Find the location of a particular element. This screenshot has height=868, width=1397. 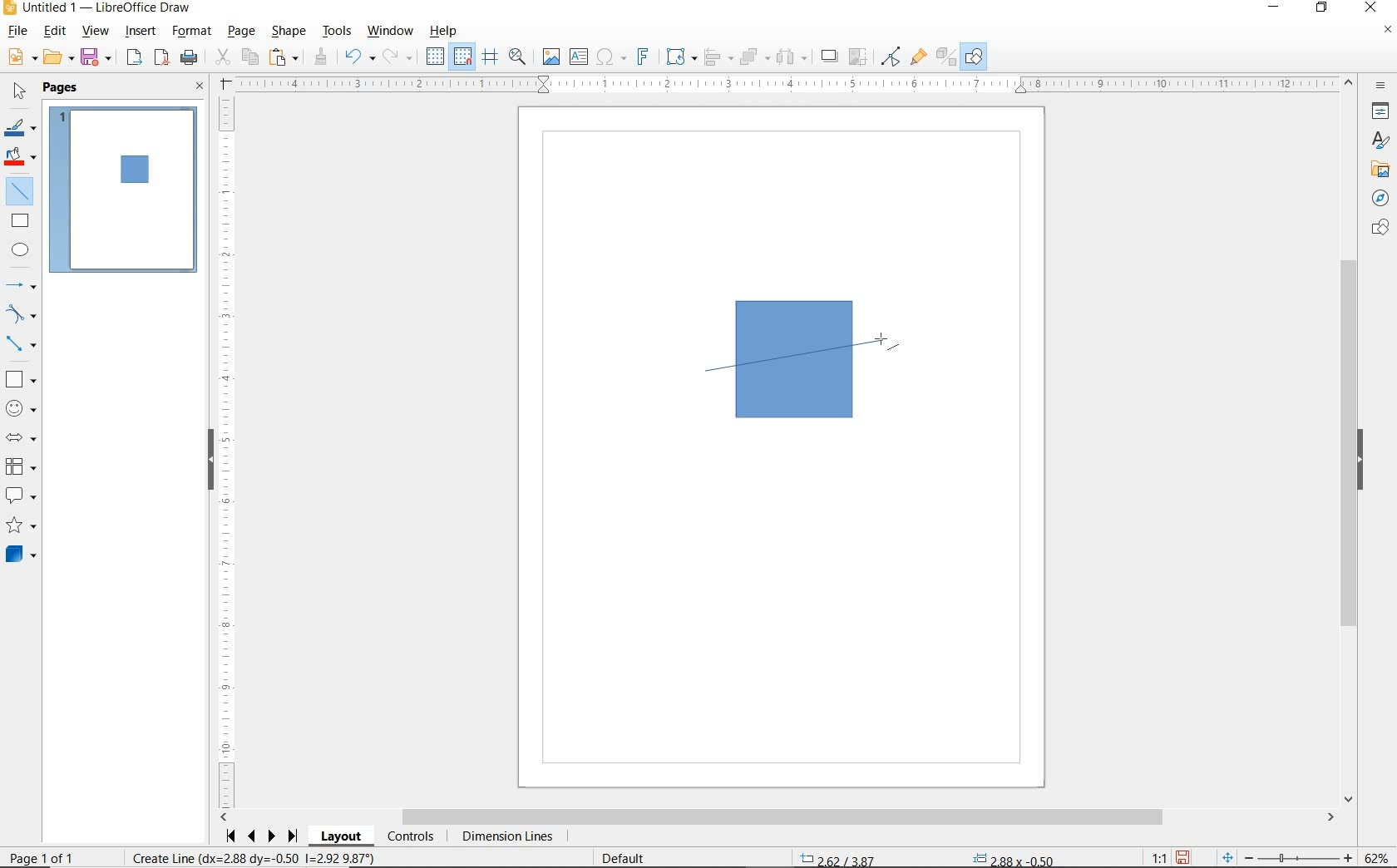

SELECT is located at coordinates (17, 94).